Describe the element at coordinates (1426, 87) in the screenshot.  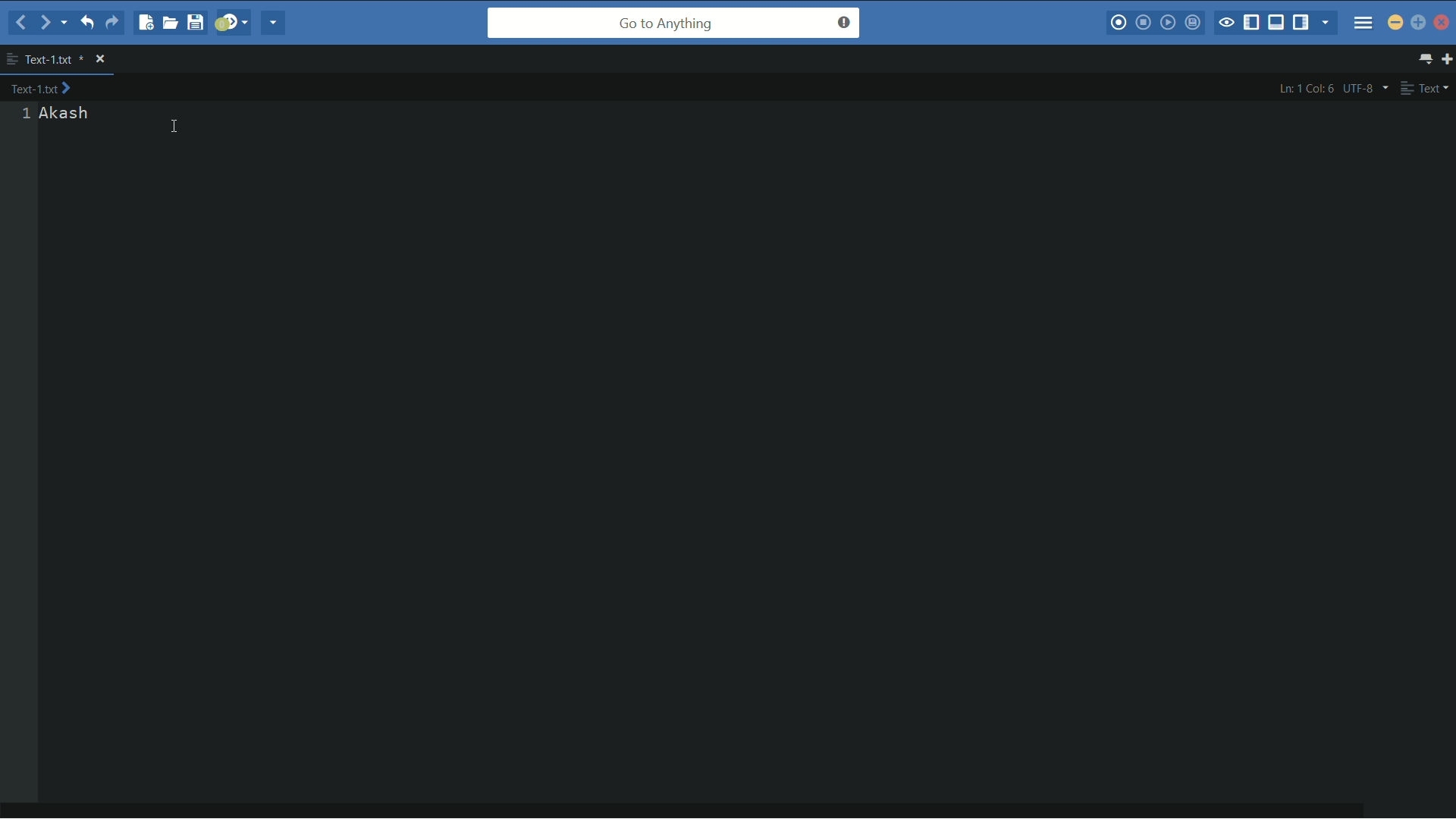
I see `file type` at that location.